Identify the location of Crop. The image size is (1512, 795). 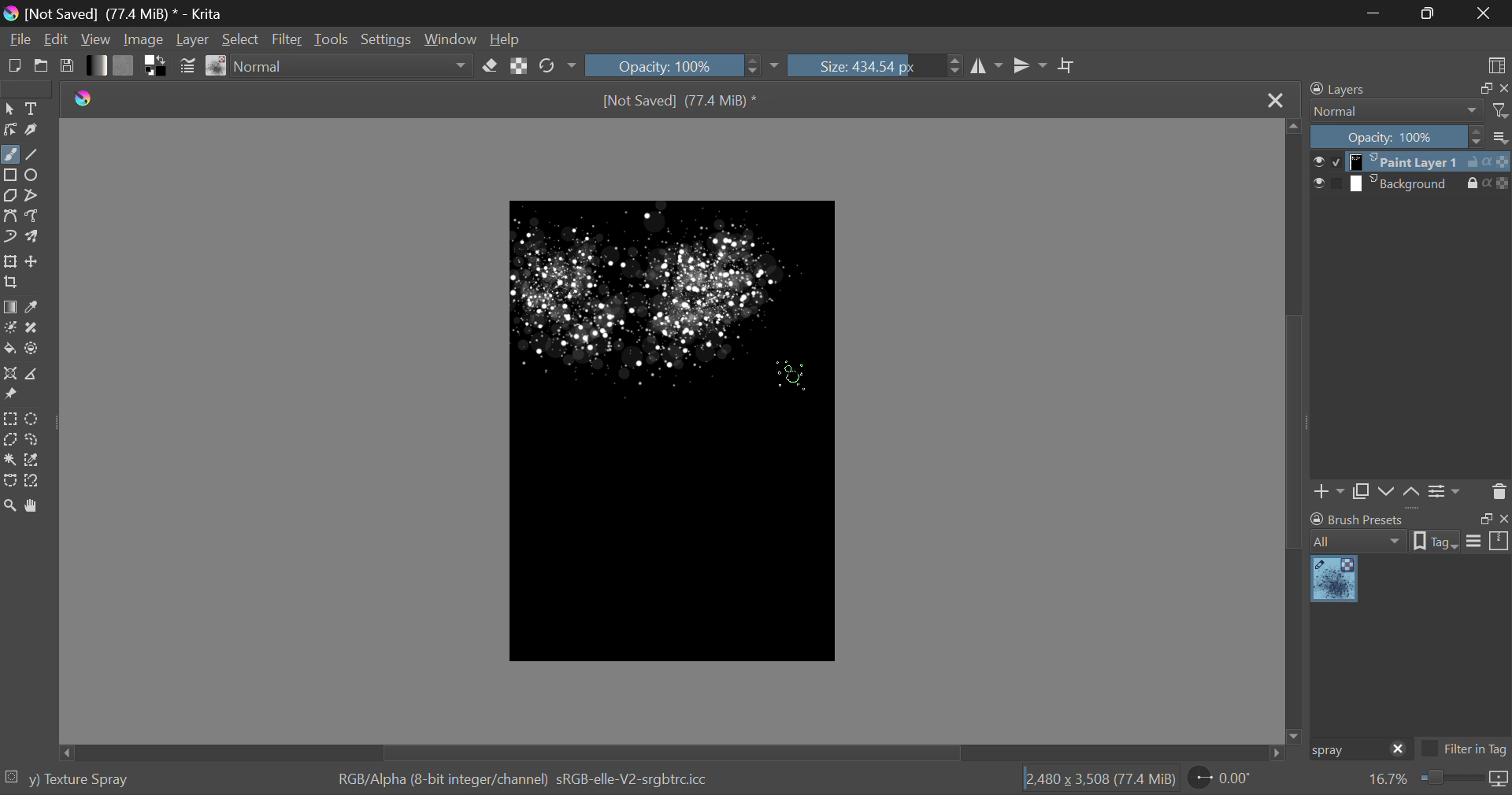
(1069, 66).